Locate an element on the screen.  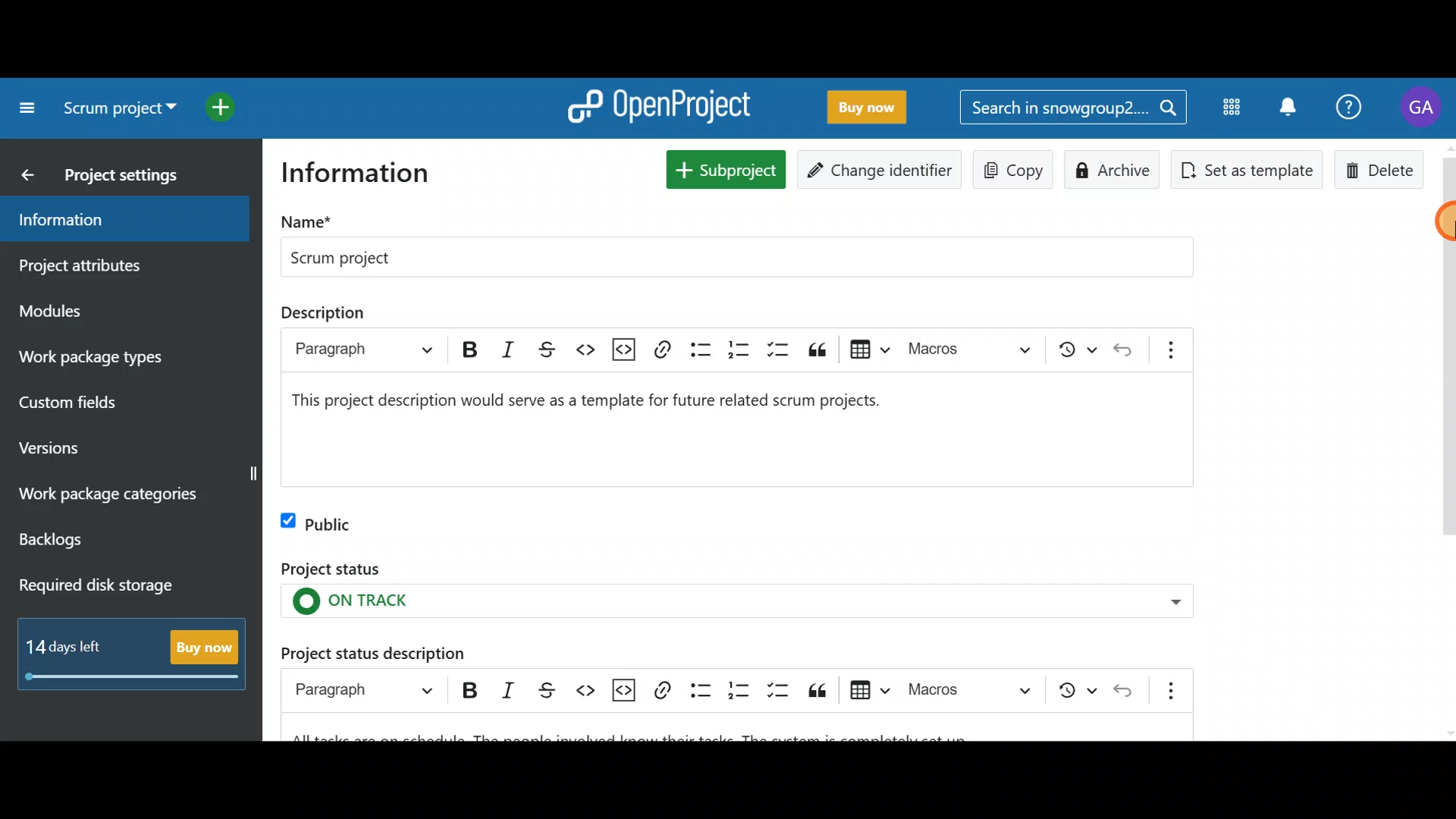
Open quick add menu is located at coordinates (235, 108).